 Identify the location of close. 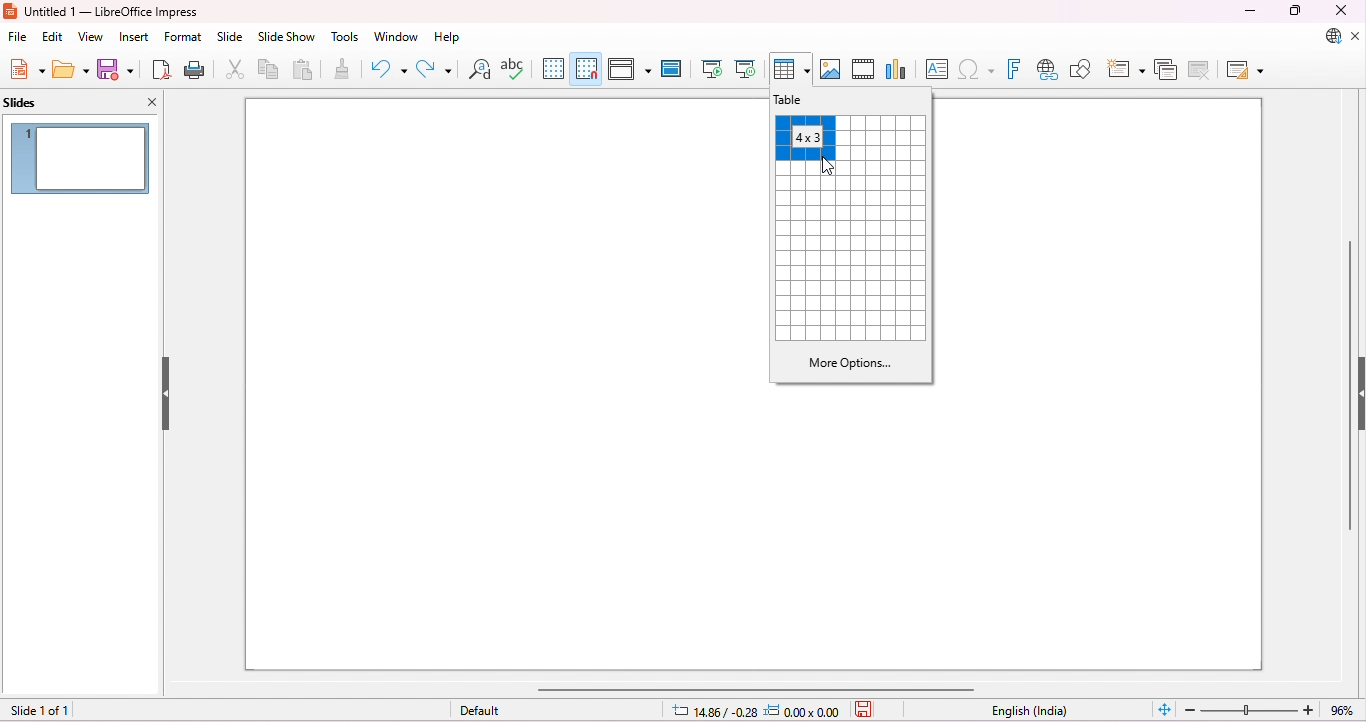
(1356, 37).